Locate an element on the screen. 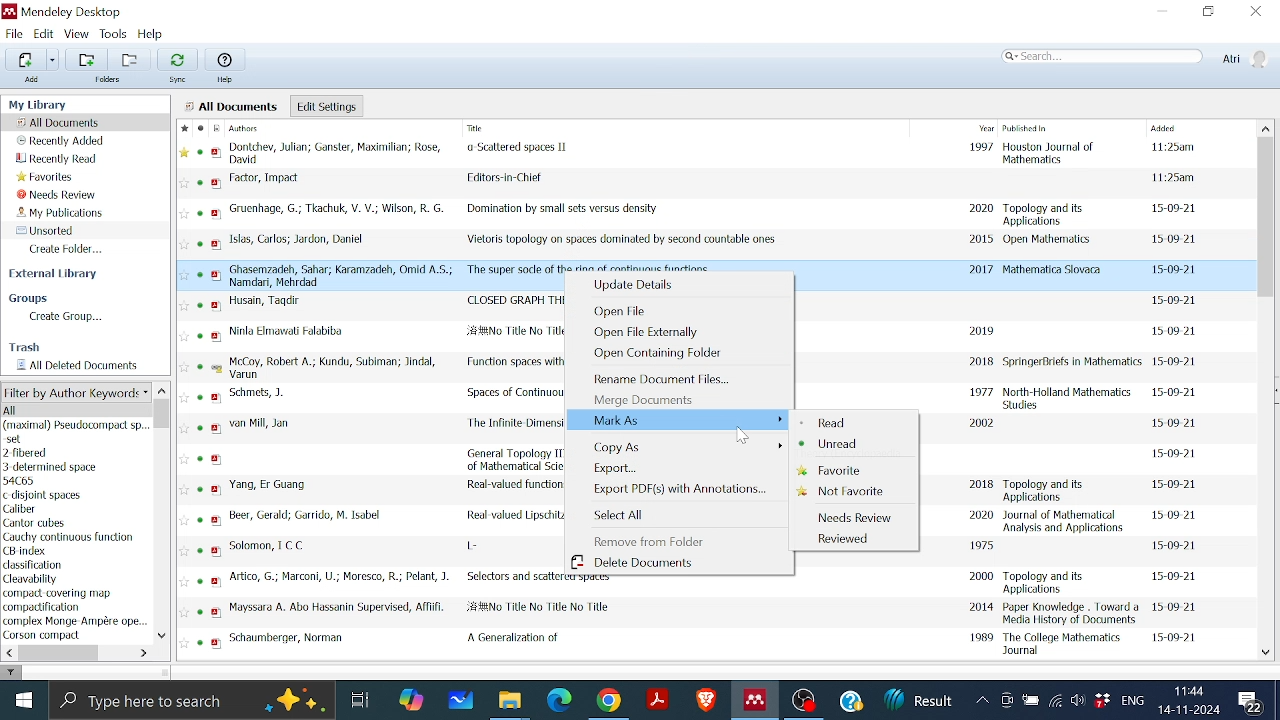  Google chrome is located at coordinates (610, 700).